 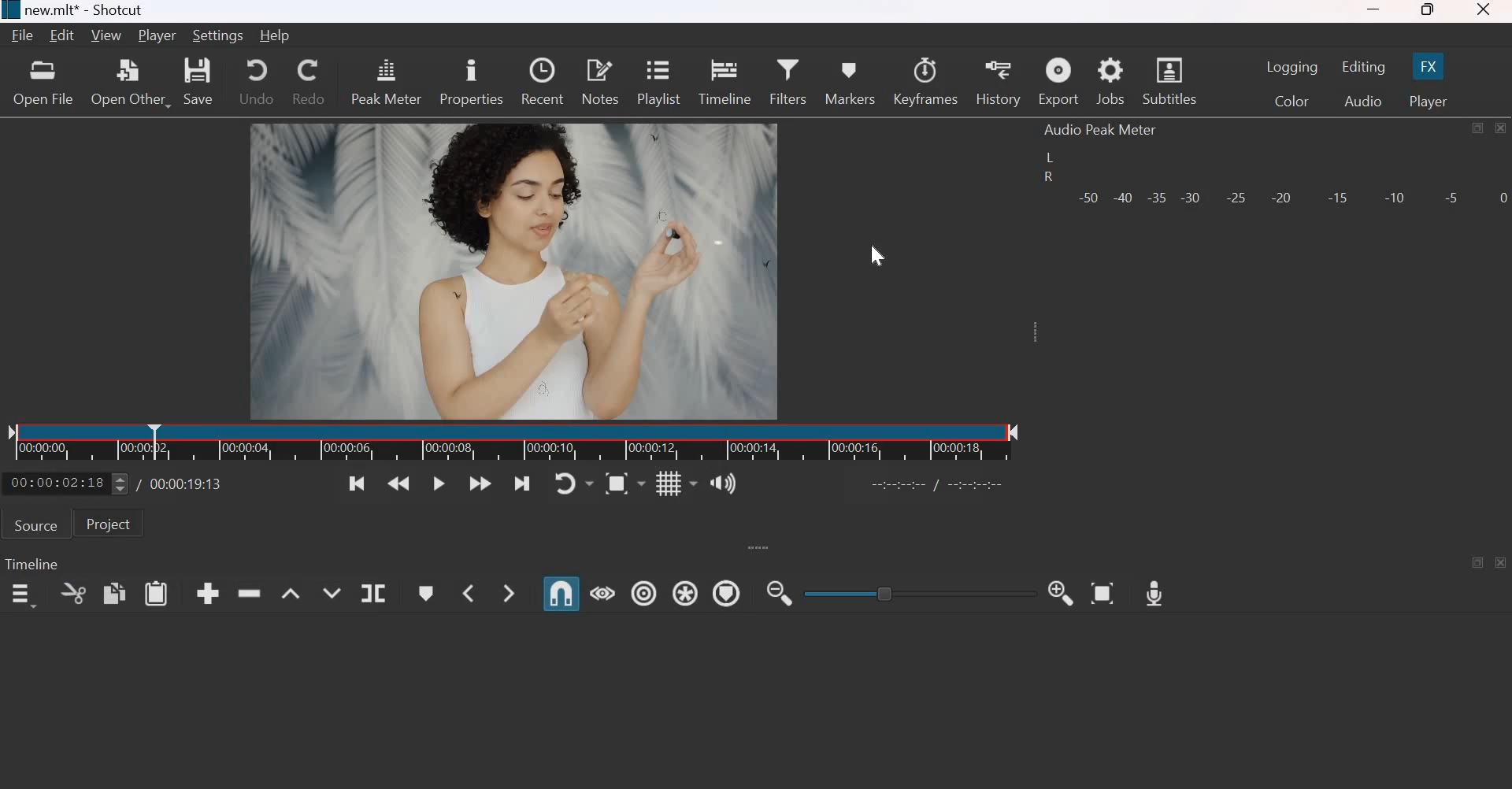 What do you see at coordinates (332, 591) in the screenshot?
I see `Overwrite` at bounding box center [332, 591].